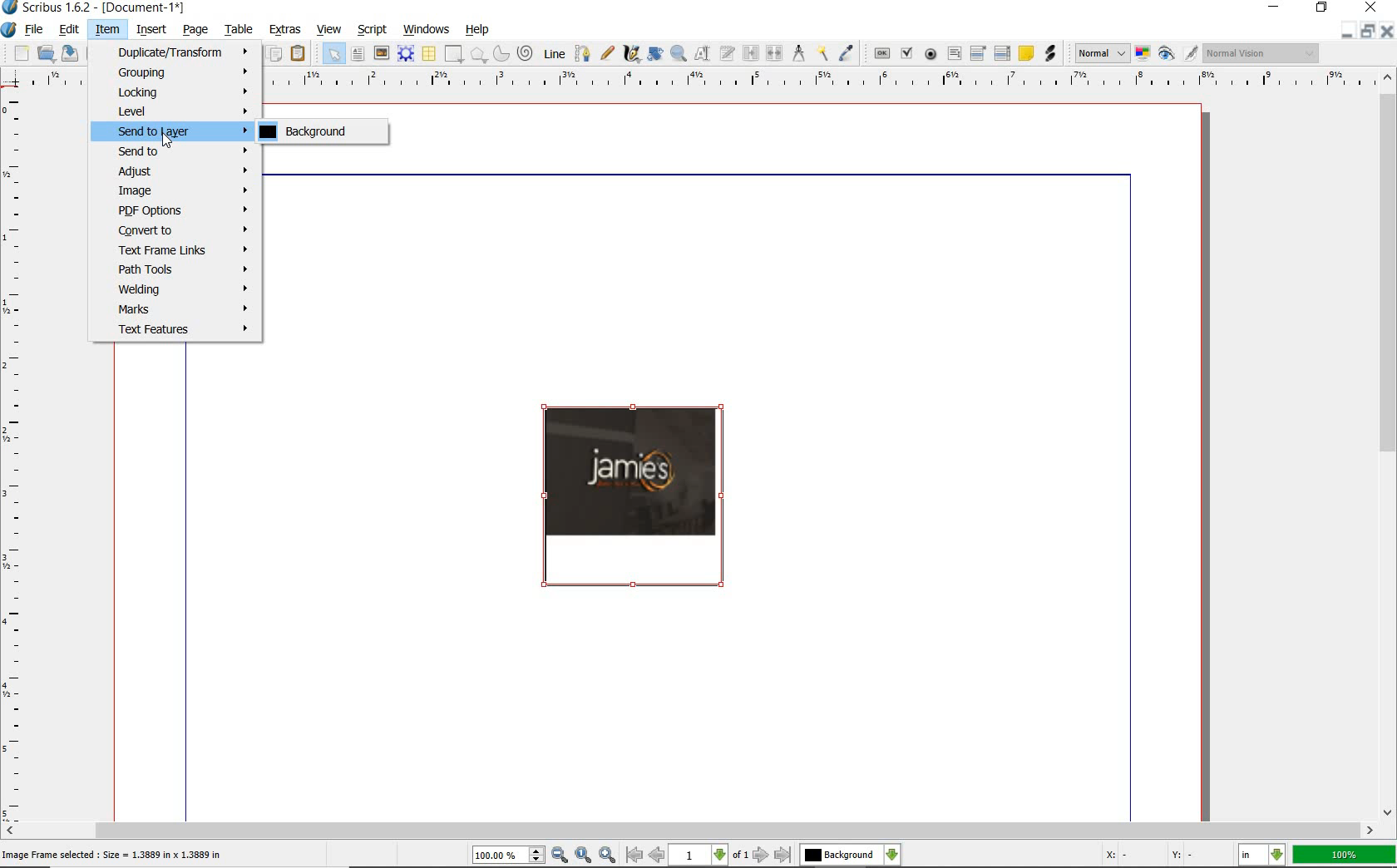 The width and height of the screenshot is (1397, 868). Describe the element at coordinates (1343, 31) in the screenshot. I see `Restore Down` at that location.